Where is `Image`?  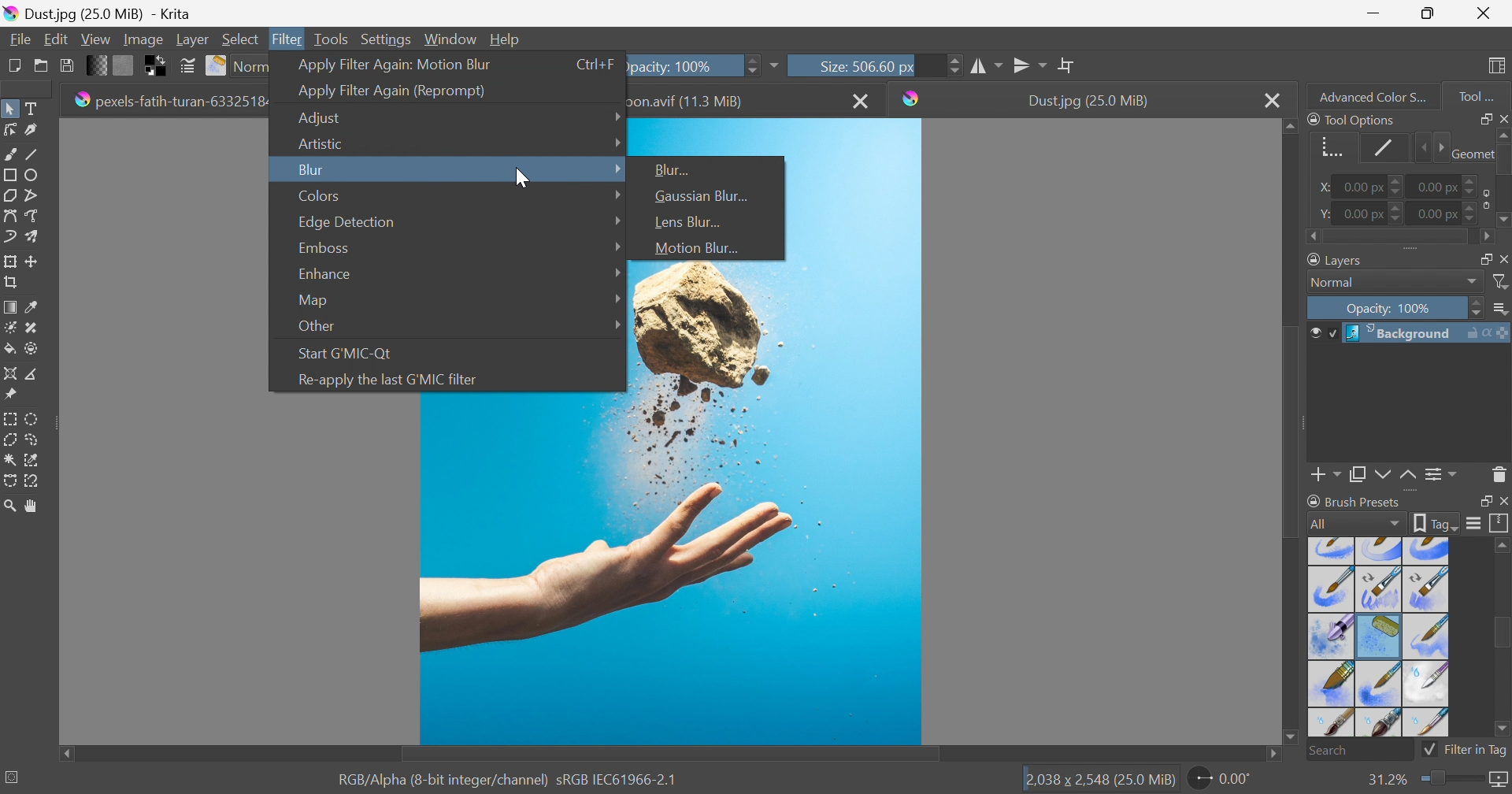 Image is located at coordinates (671, 570).